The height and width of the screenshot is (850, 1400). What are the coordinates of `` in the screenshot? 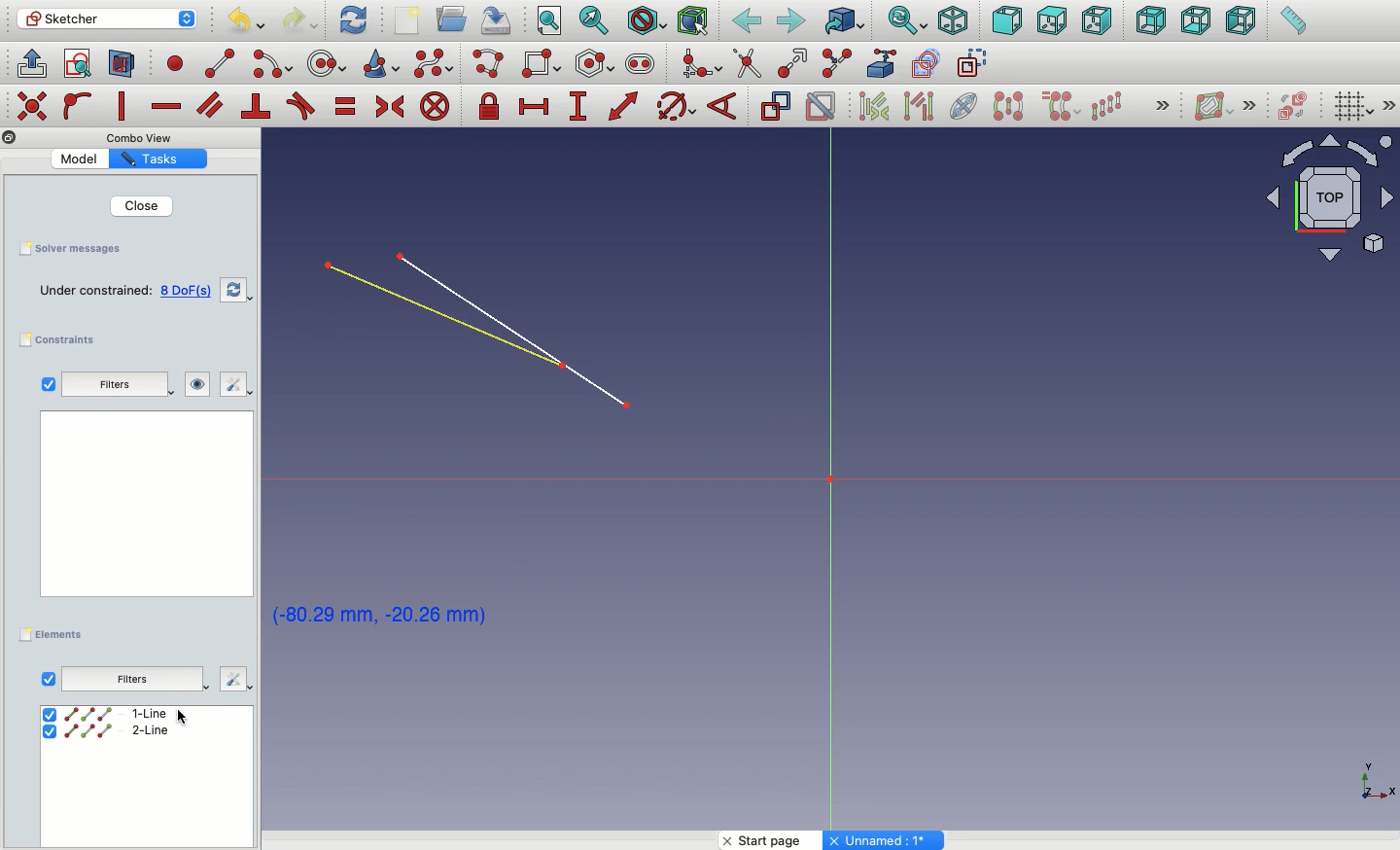 It's located at (1370, 780).